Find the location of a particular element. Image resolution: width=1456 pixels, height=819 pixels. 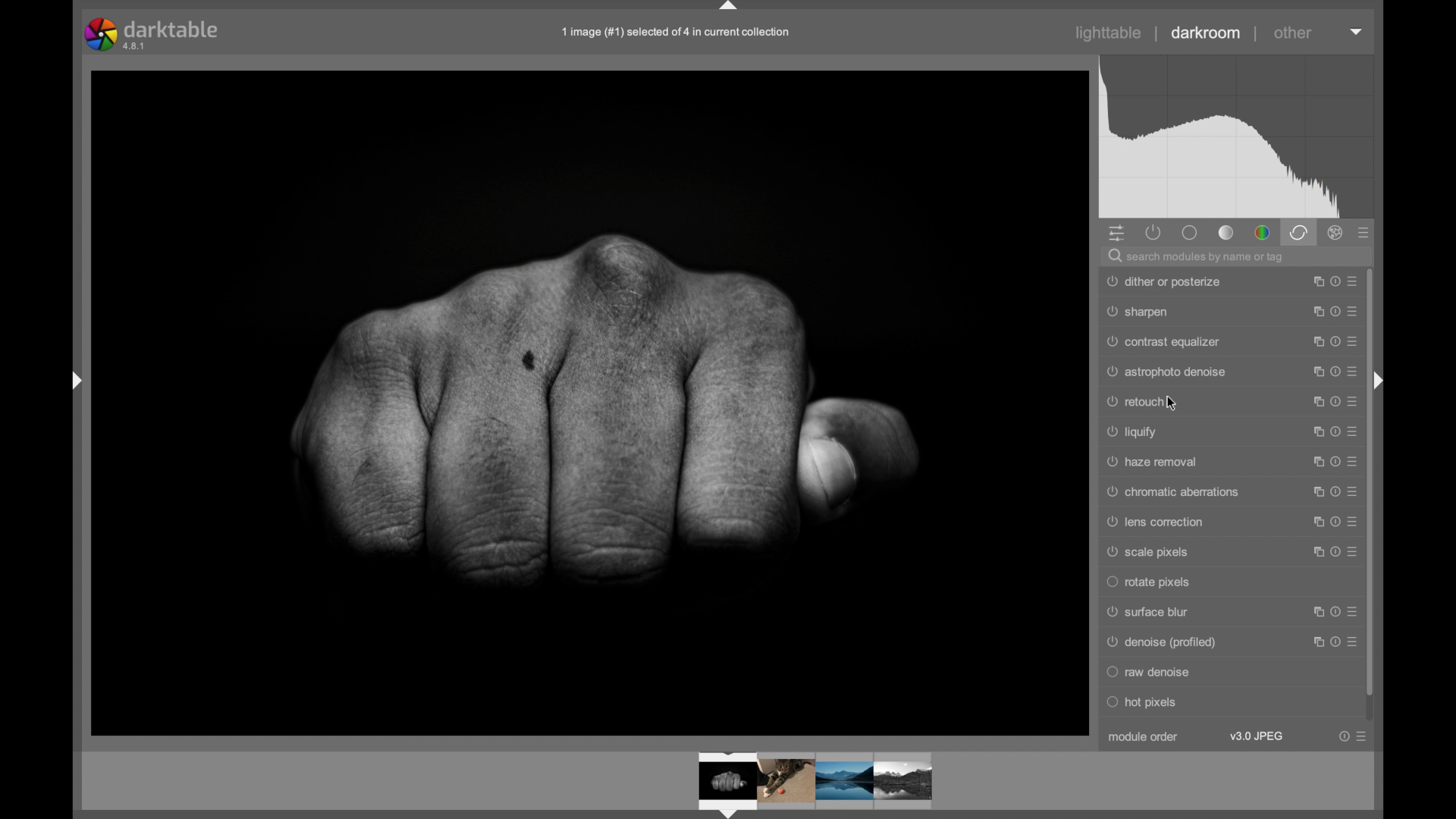

base is located at coordinates (1189, 232).